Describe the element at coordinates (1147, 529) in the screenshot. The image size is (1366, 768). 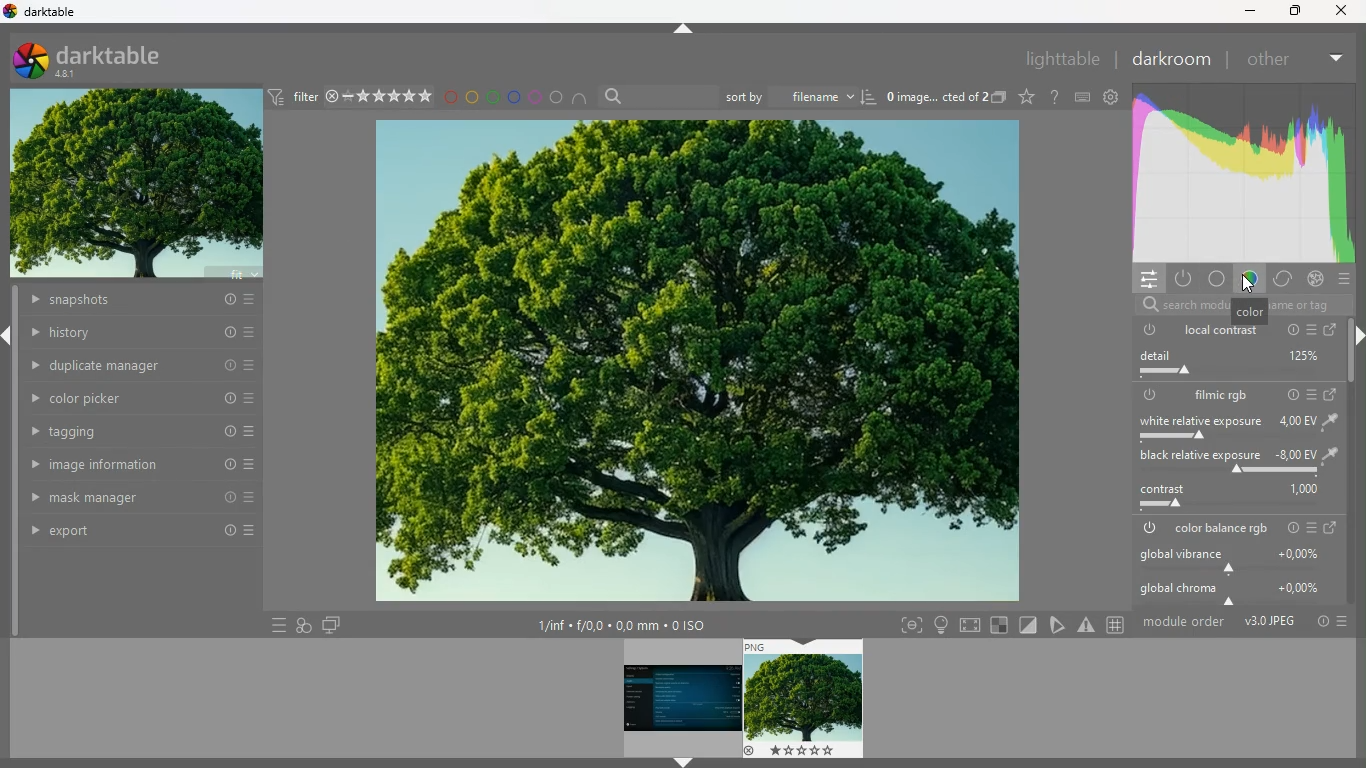
I see `power` at that location.